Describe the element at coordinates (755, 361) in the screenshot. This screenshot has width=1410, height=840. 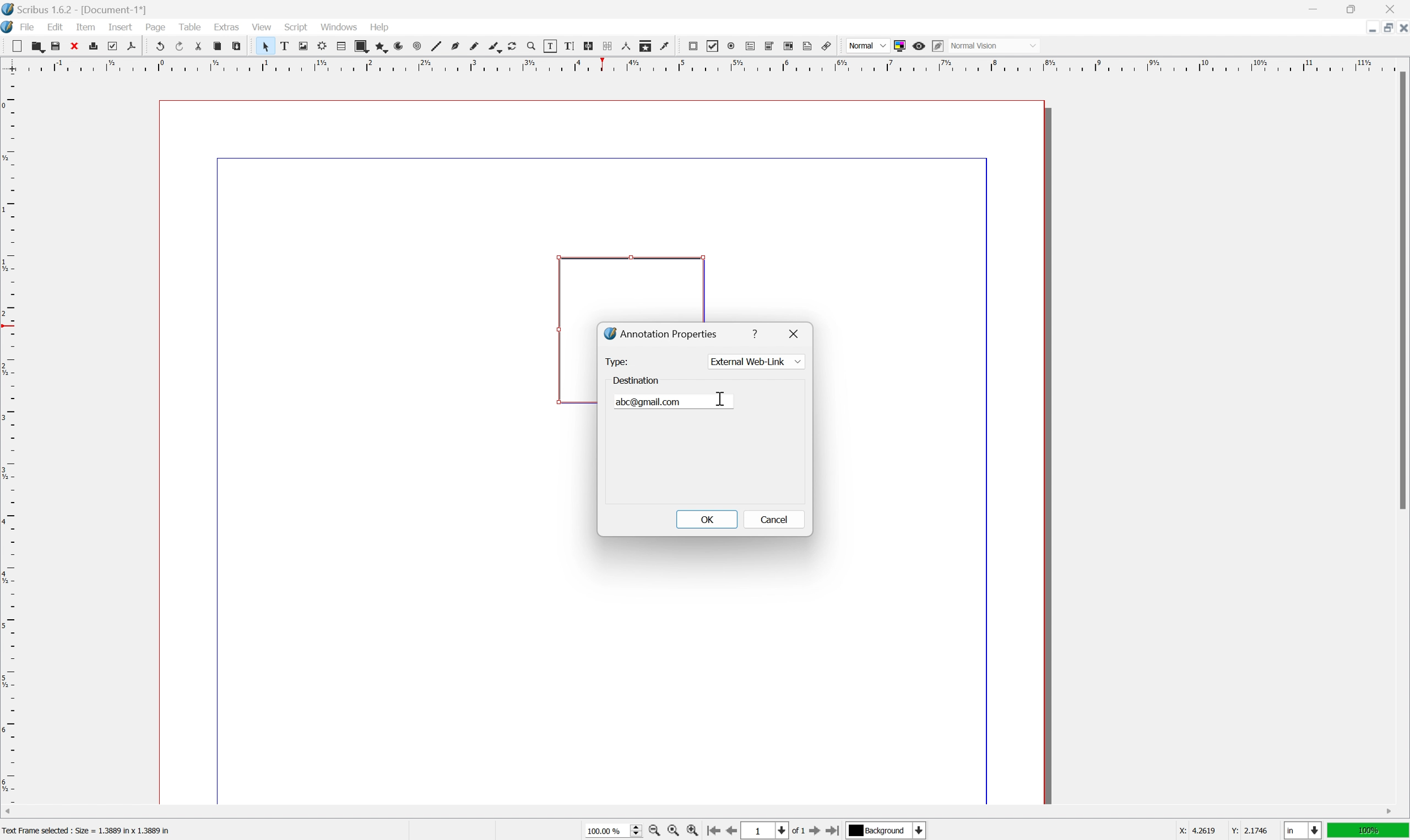
I see `external web link` at that location.